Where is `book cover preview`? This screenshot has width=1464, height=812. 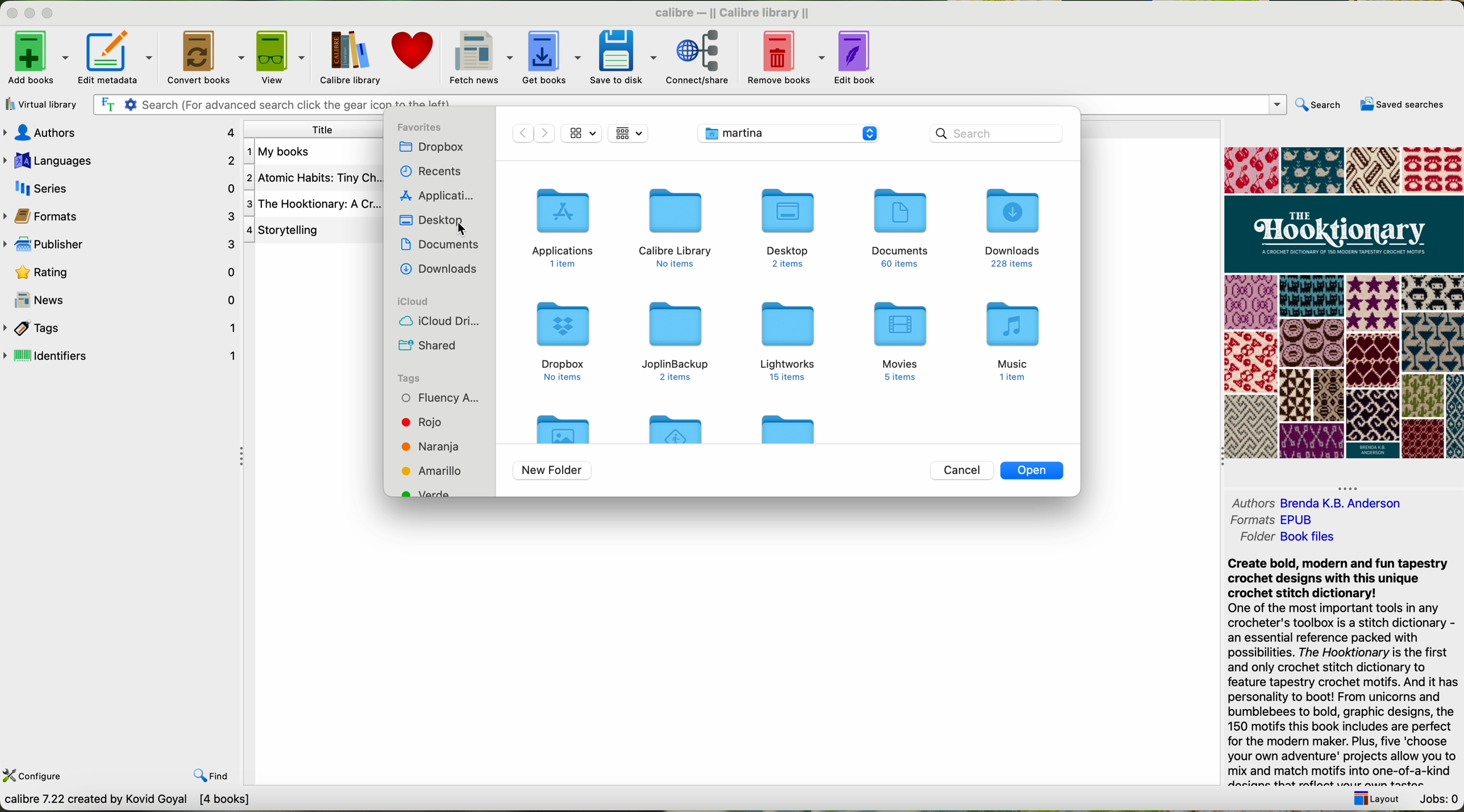 book cover preview is located at coordinates (1345, 299).